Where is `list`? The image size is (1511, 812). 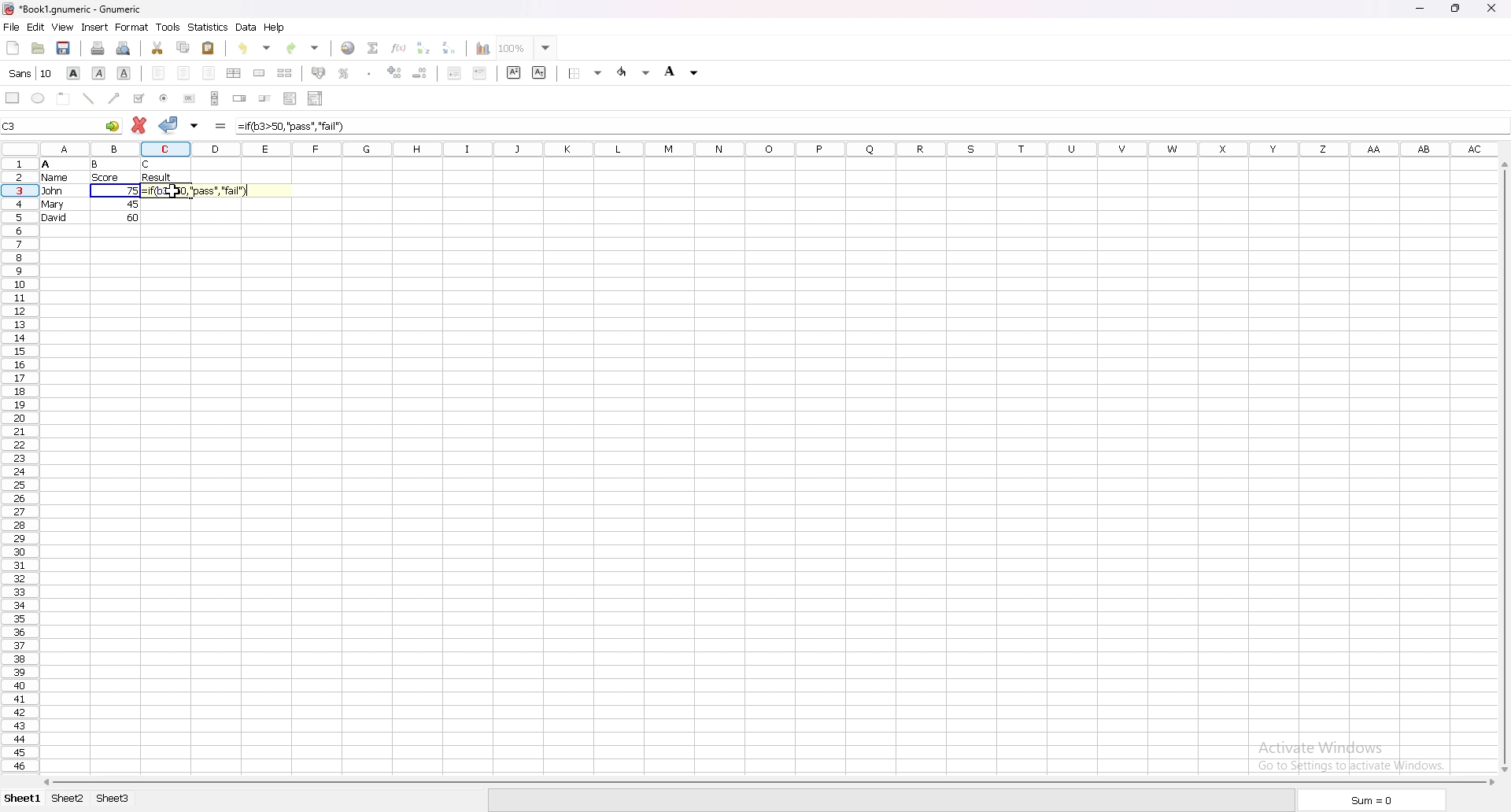
list is located at coordinates (290, 98).